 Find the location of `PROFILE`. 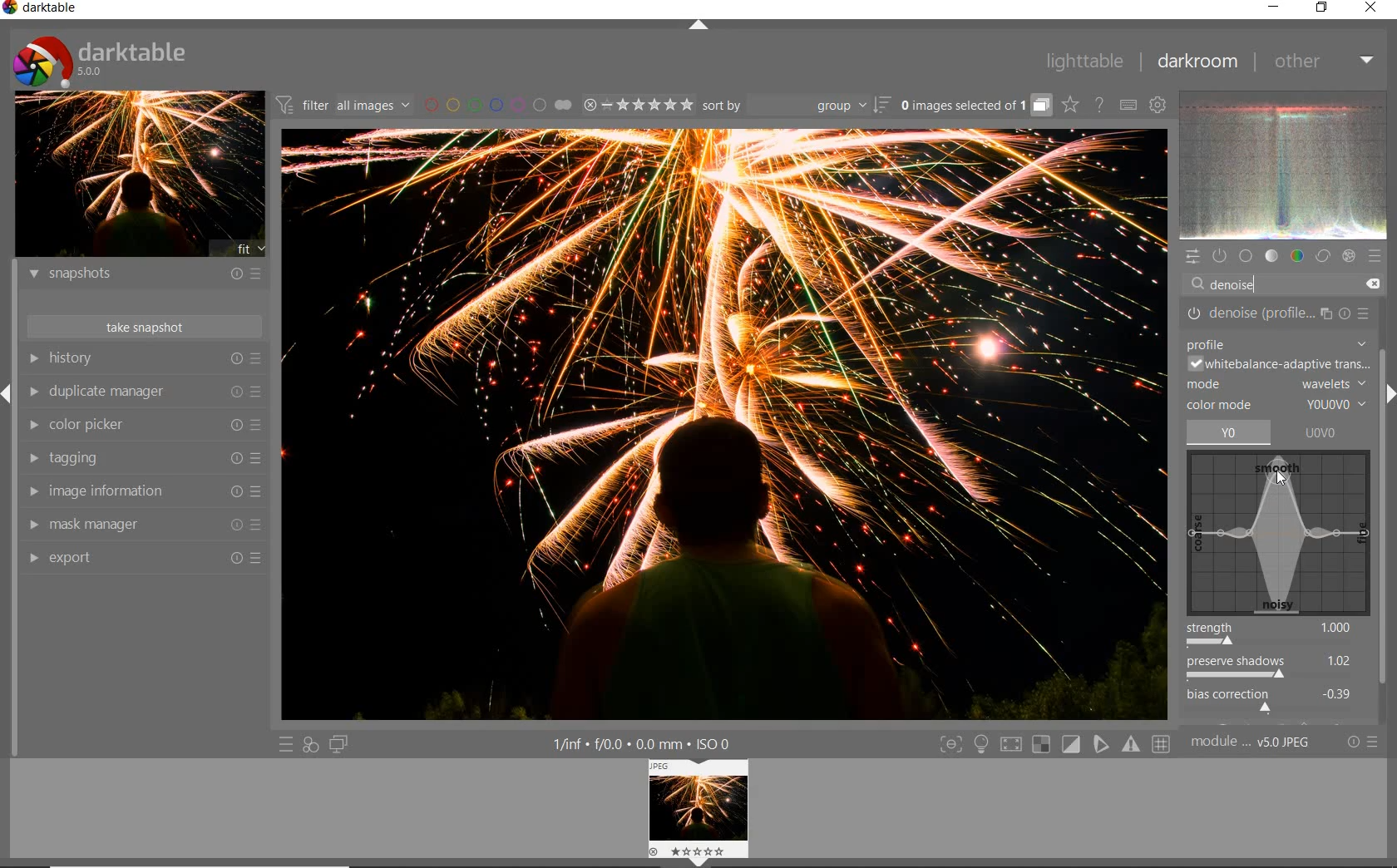

PROFILE is located at coordinates (1278, 343).